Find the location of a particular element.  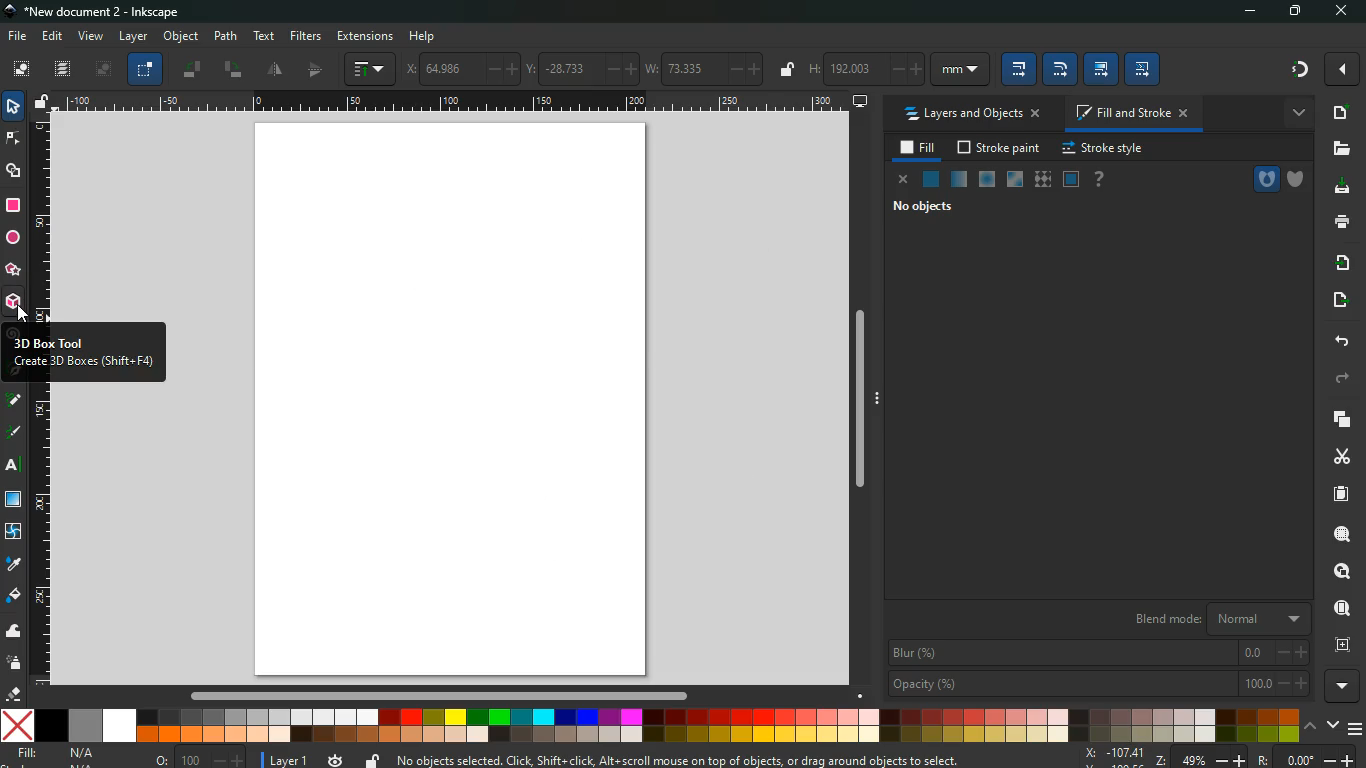

layers is located at coordinates (64, 67).